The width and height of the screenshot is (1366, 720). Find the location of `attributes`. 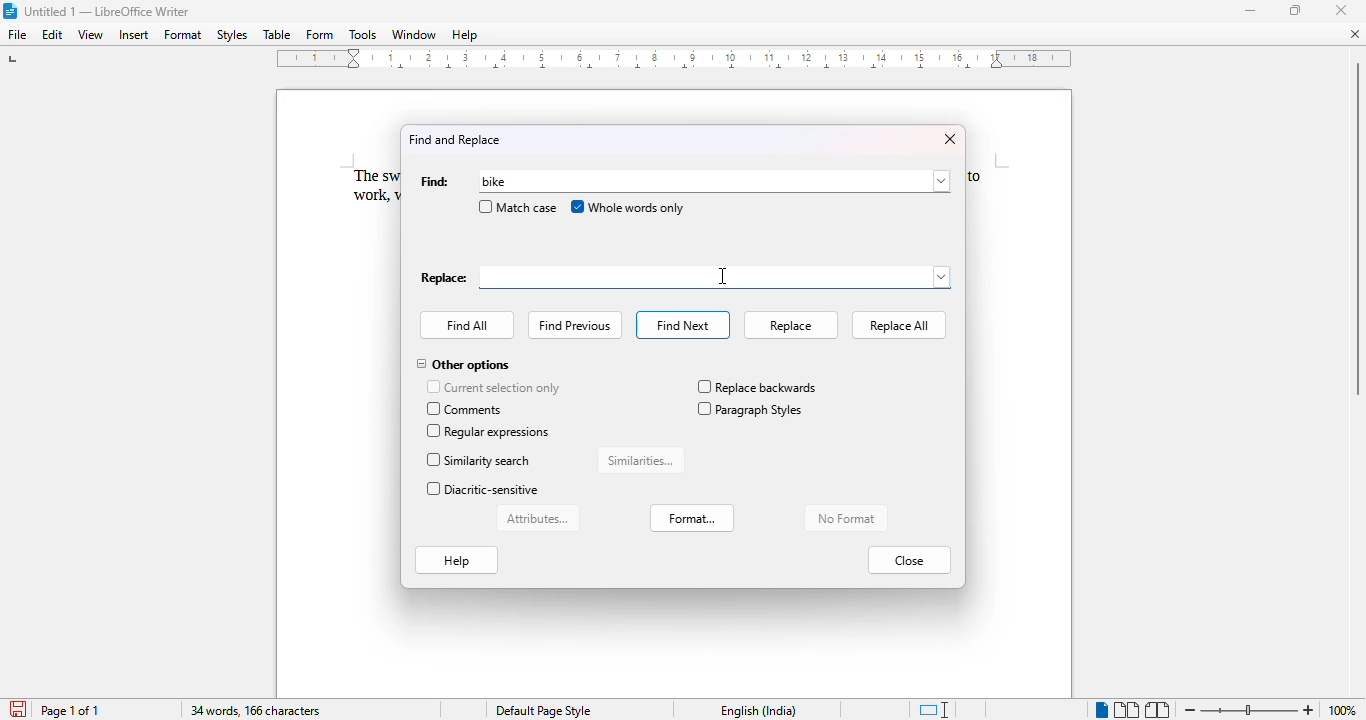

attributes is located at coordinates (540, 518).